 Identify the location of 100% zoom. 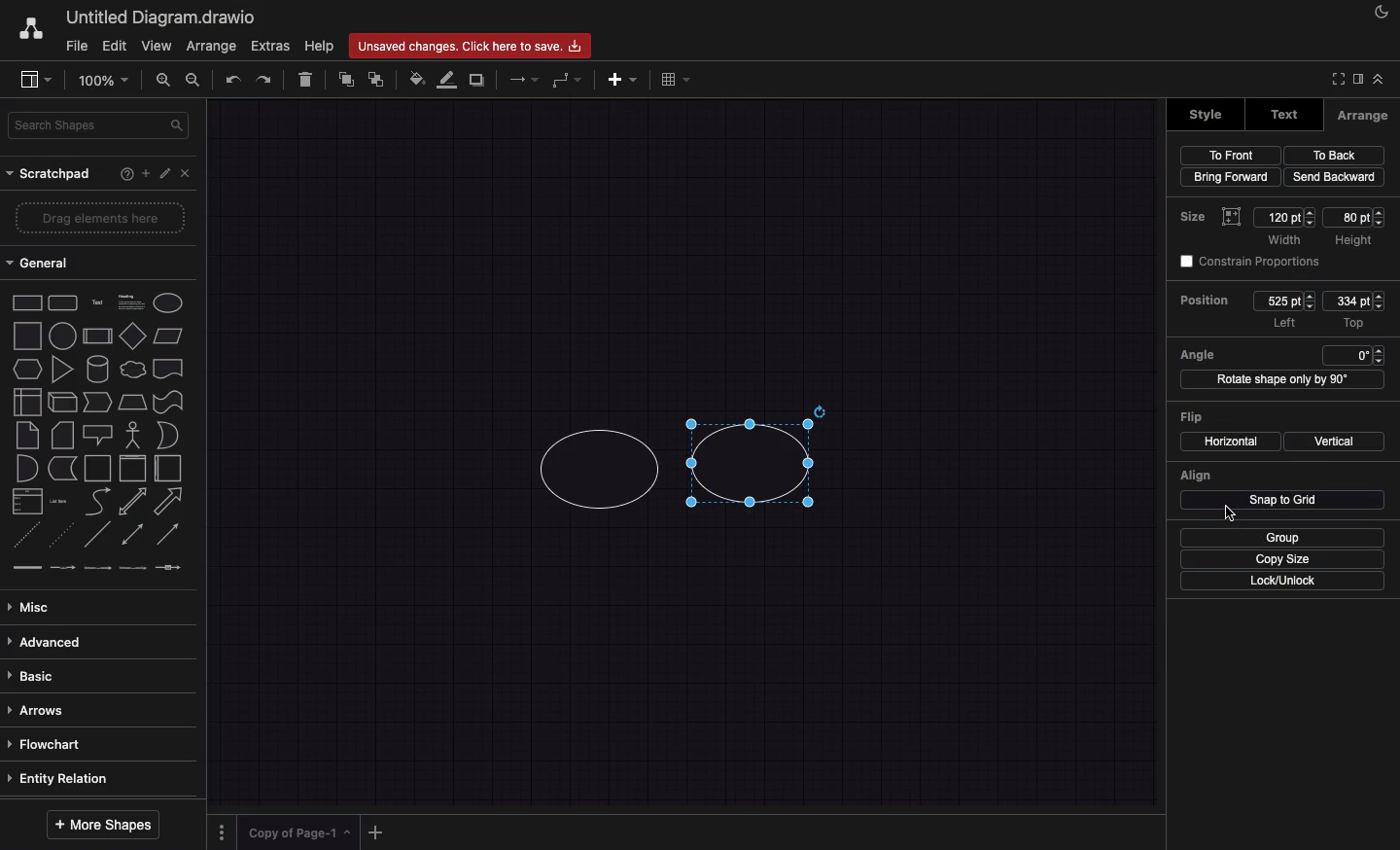
(101, 81).